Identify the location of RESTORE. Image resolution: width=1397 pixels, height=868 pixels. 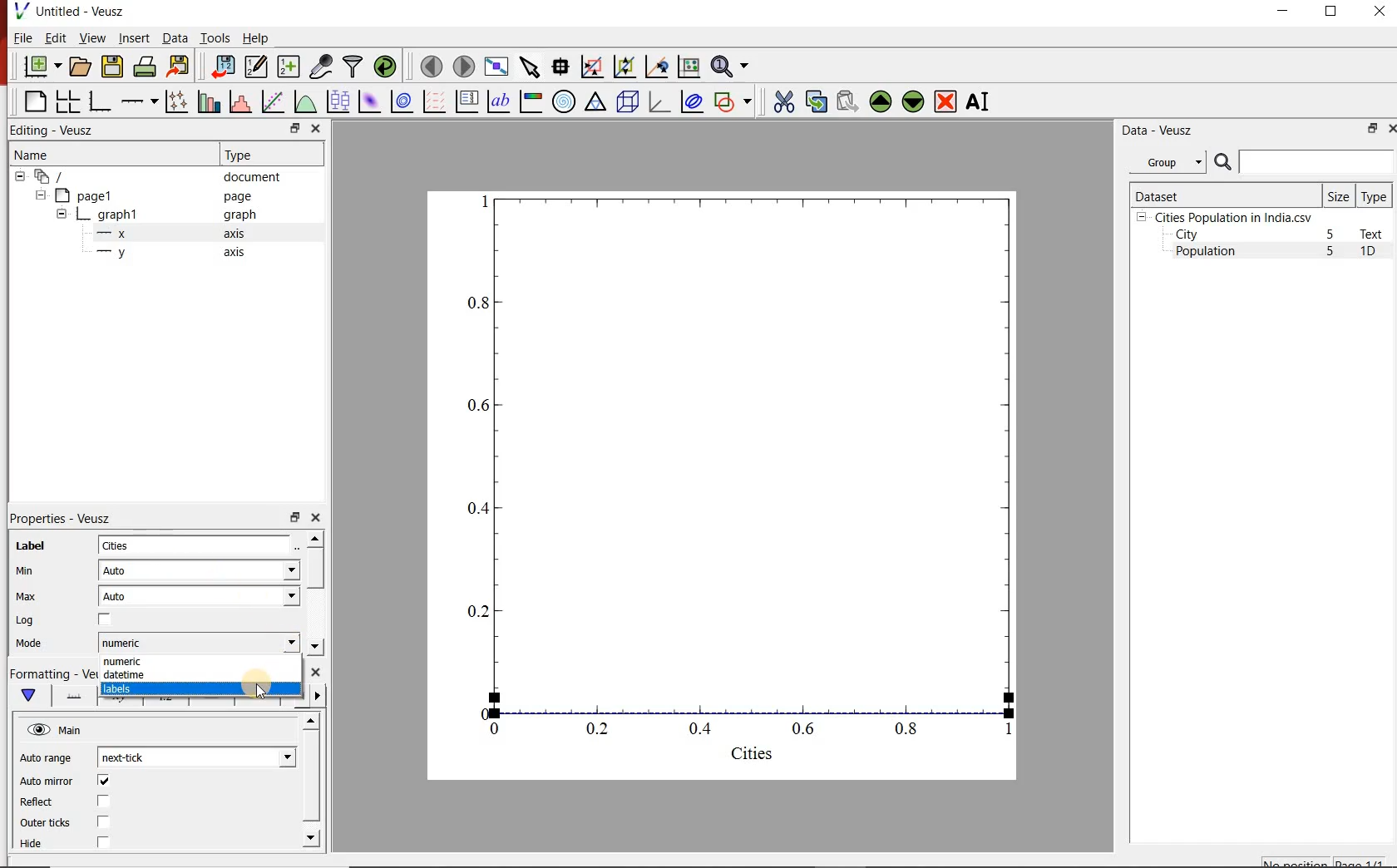
(1331, 12).